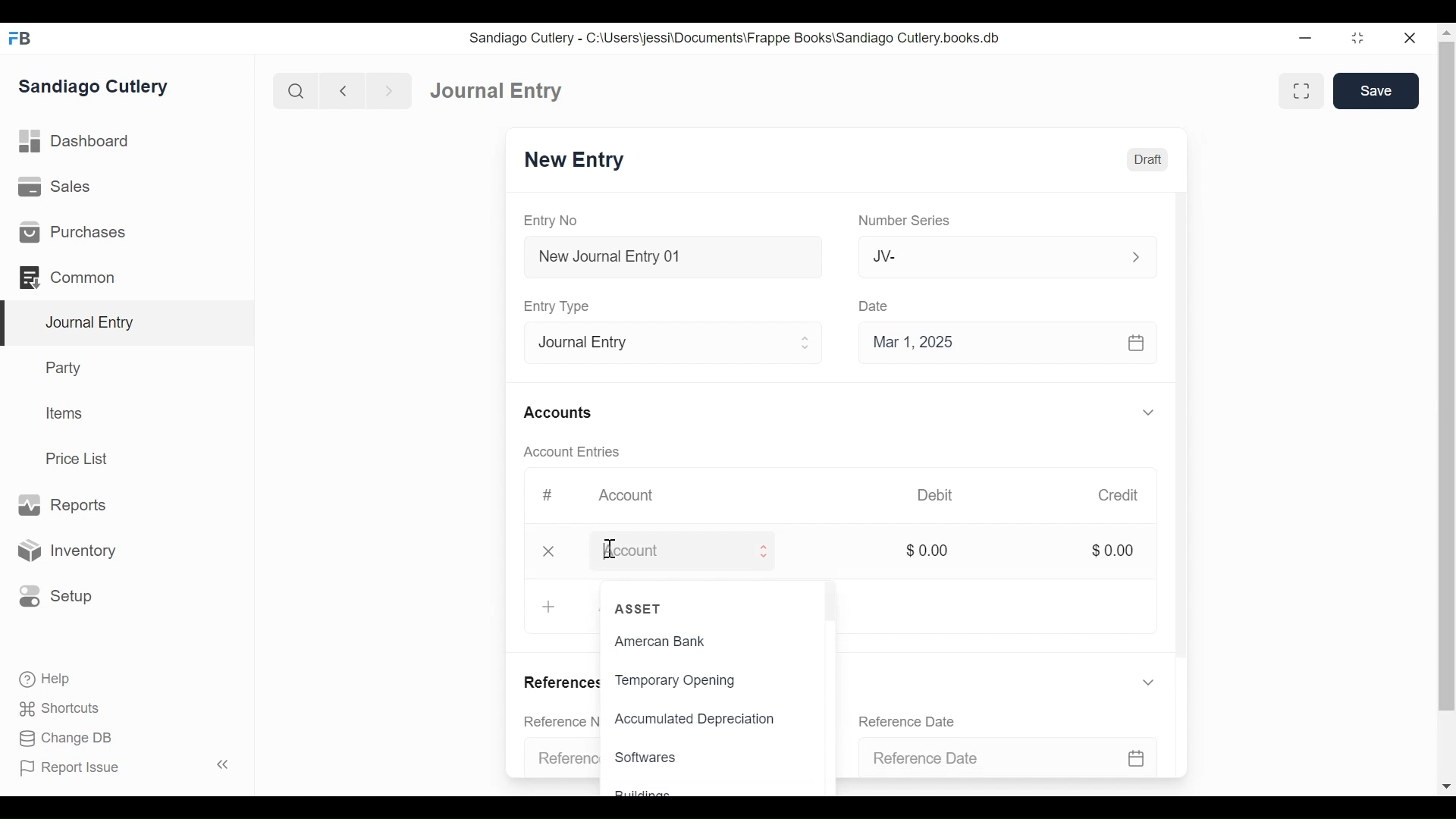  I want to click on ASSET, so click(652, 607).